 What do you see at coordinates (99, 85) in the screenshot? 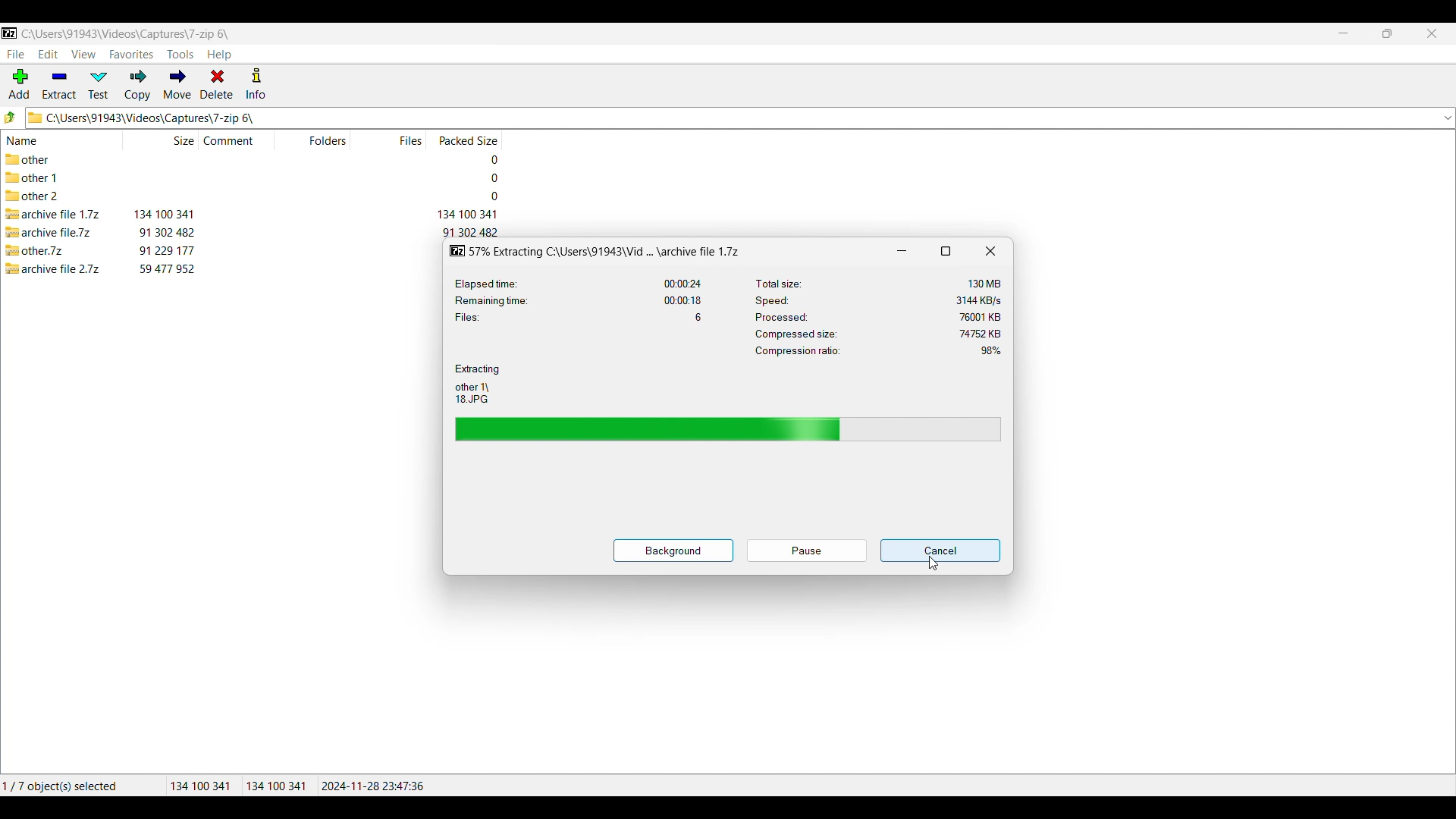
I see `Test` at bounding box center [99, 85].